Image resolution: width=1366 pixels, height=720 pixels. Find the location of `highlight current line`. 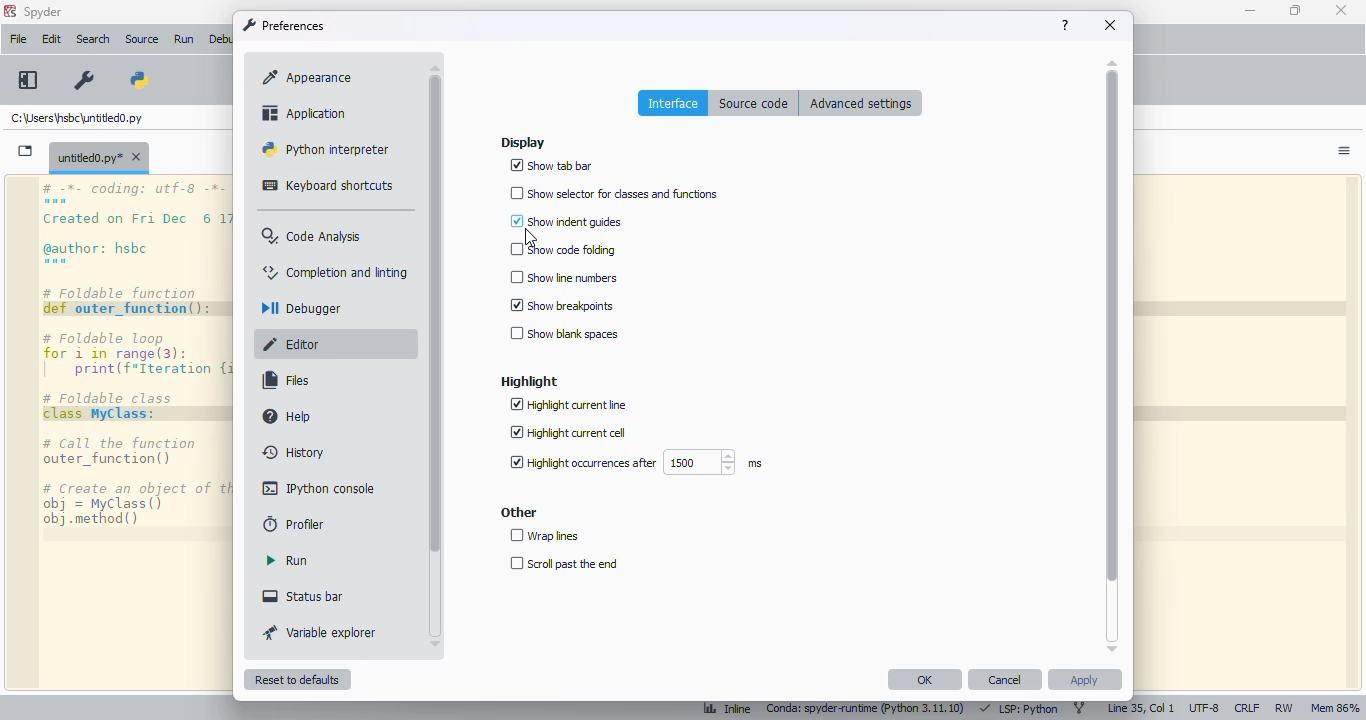

highlight current line is located at coordinates (569, 405).